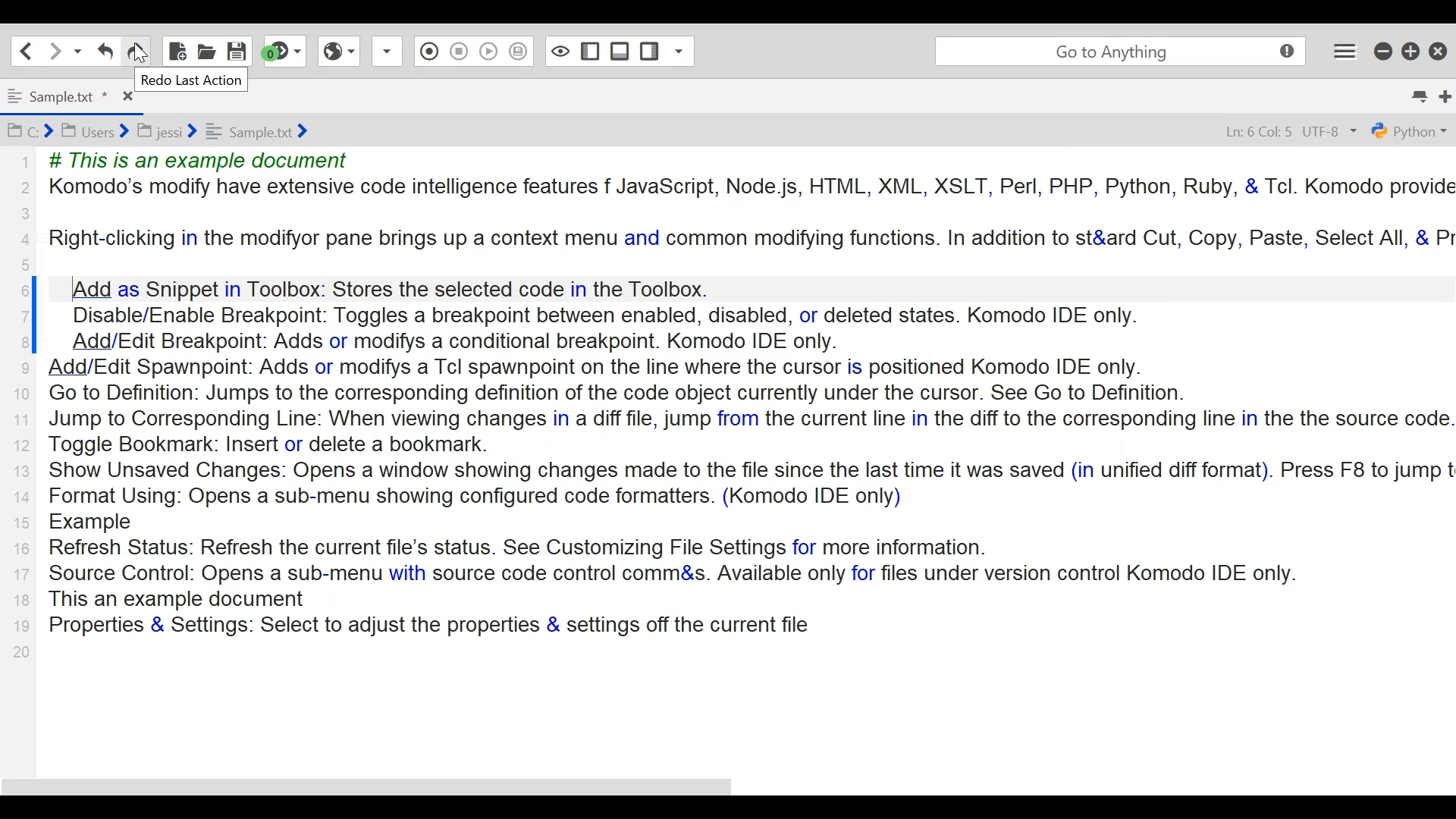 The width and height of the screenshot is (1456, 819). Describe the element at coordinates (206, 49) in the screenshot. I see `Open File` at that location.